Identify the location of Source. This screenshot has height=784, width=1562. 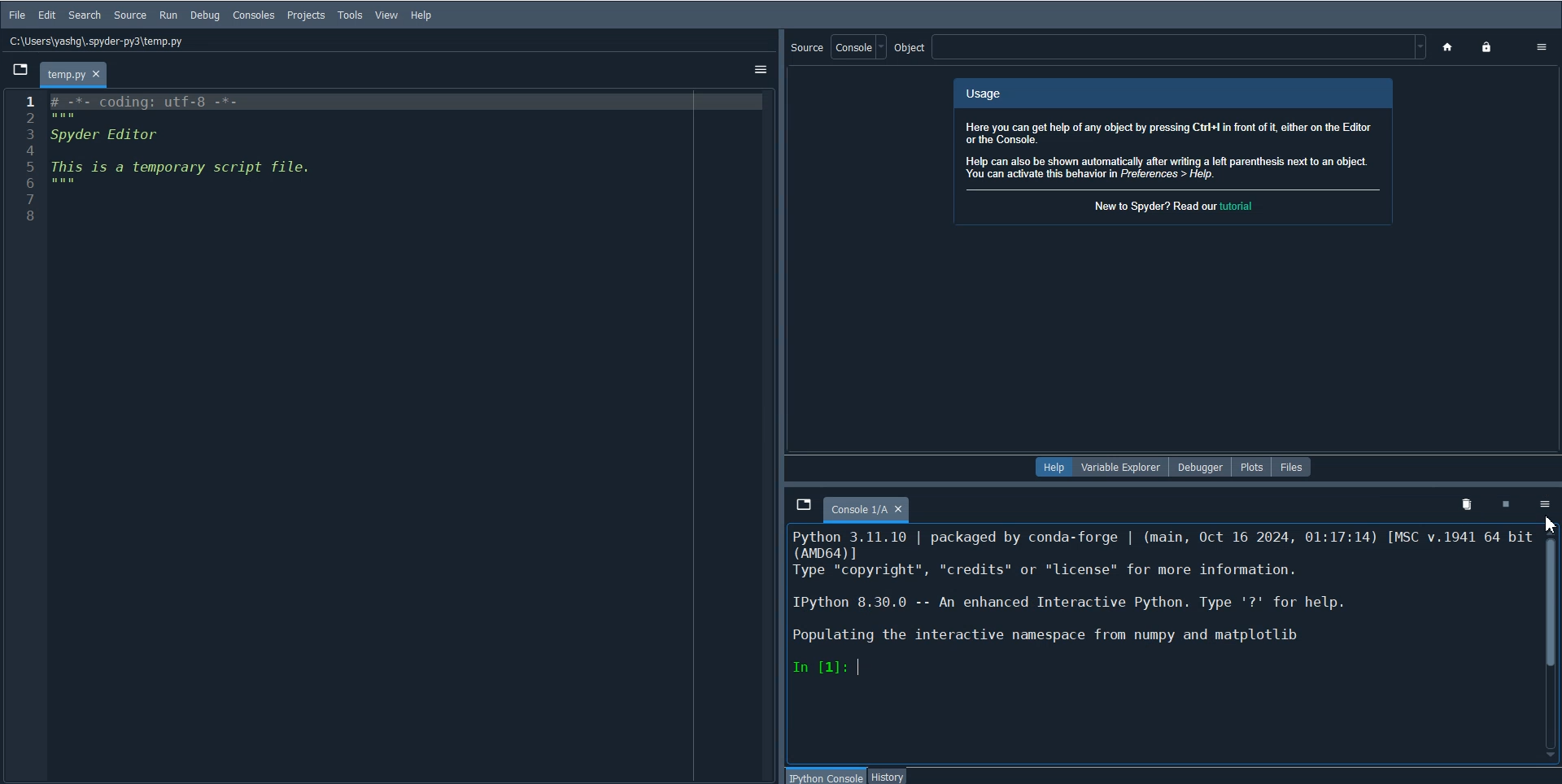
(840, 47).